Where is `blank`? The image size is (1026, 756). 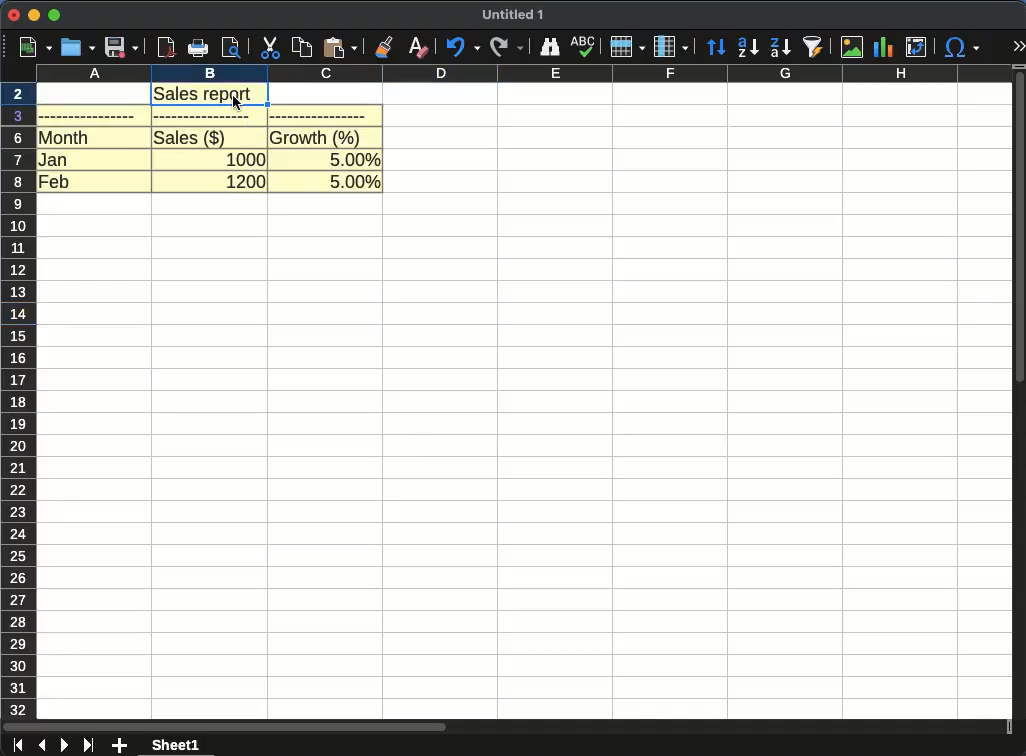 blank is located at coordinates (318, 115).